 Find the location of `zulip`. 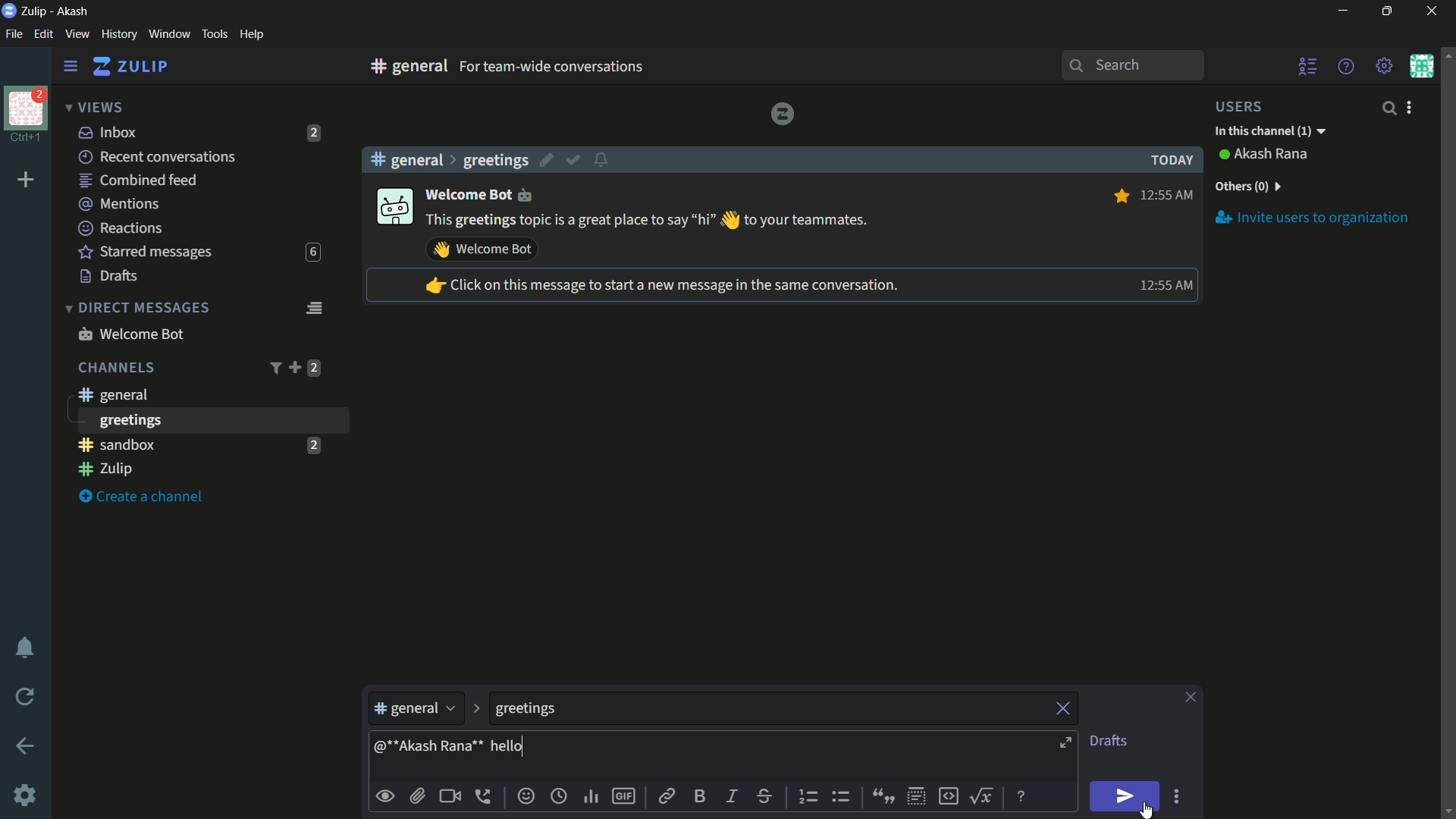

zulip is located at coordinates (130, 67).